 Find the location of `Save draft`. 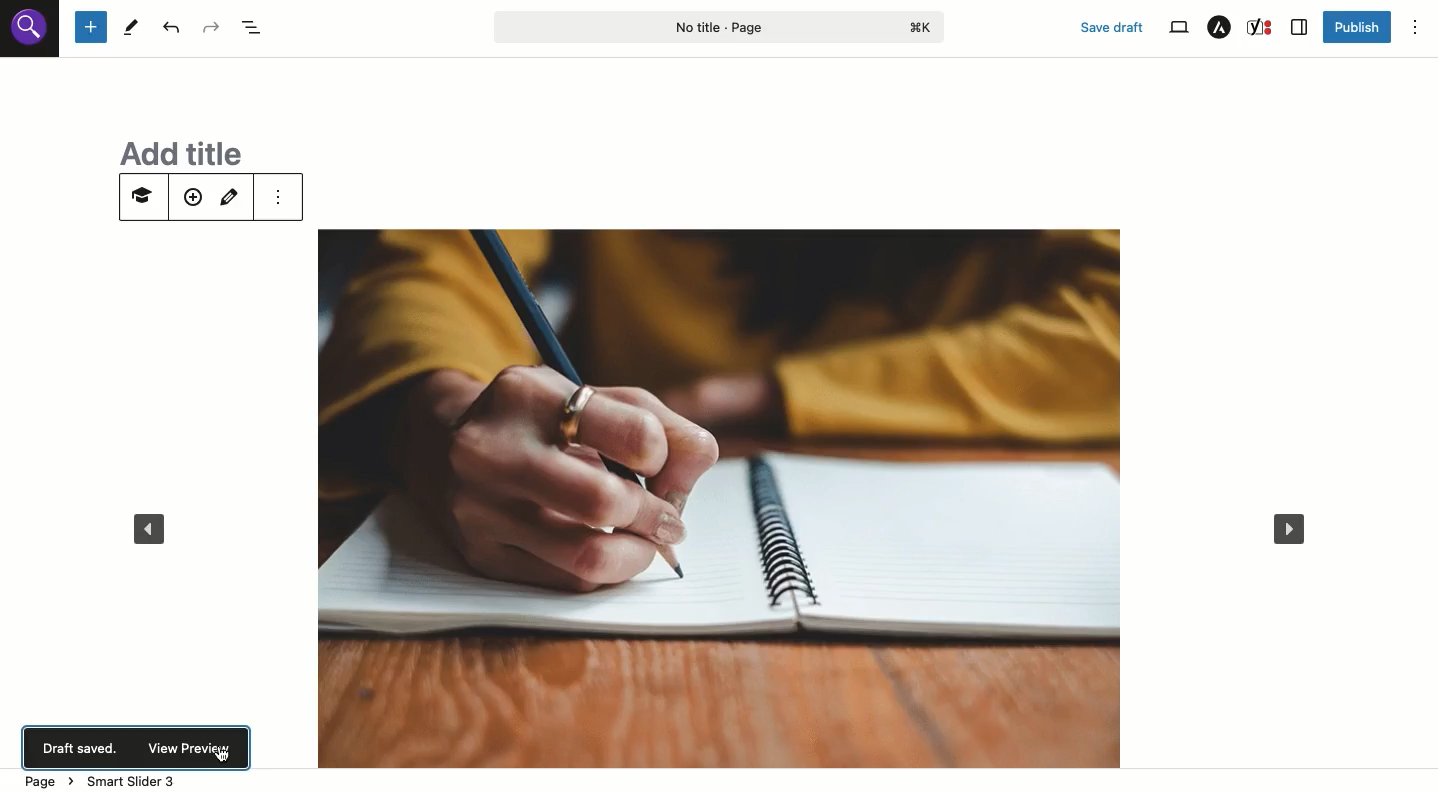

Save draft is located at coordinates (1113, 27).